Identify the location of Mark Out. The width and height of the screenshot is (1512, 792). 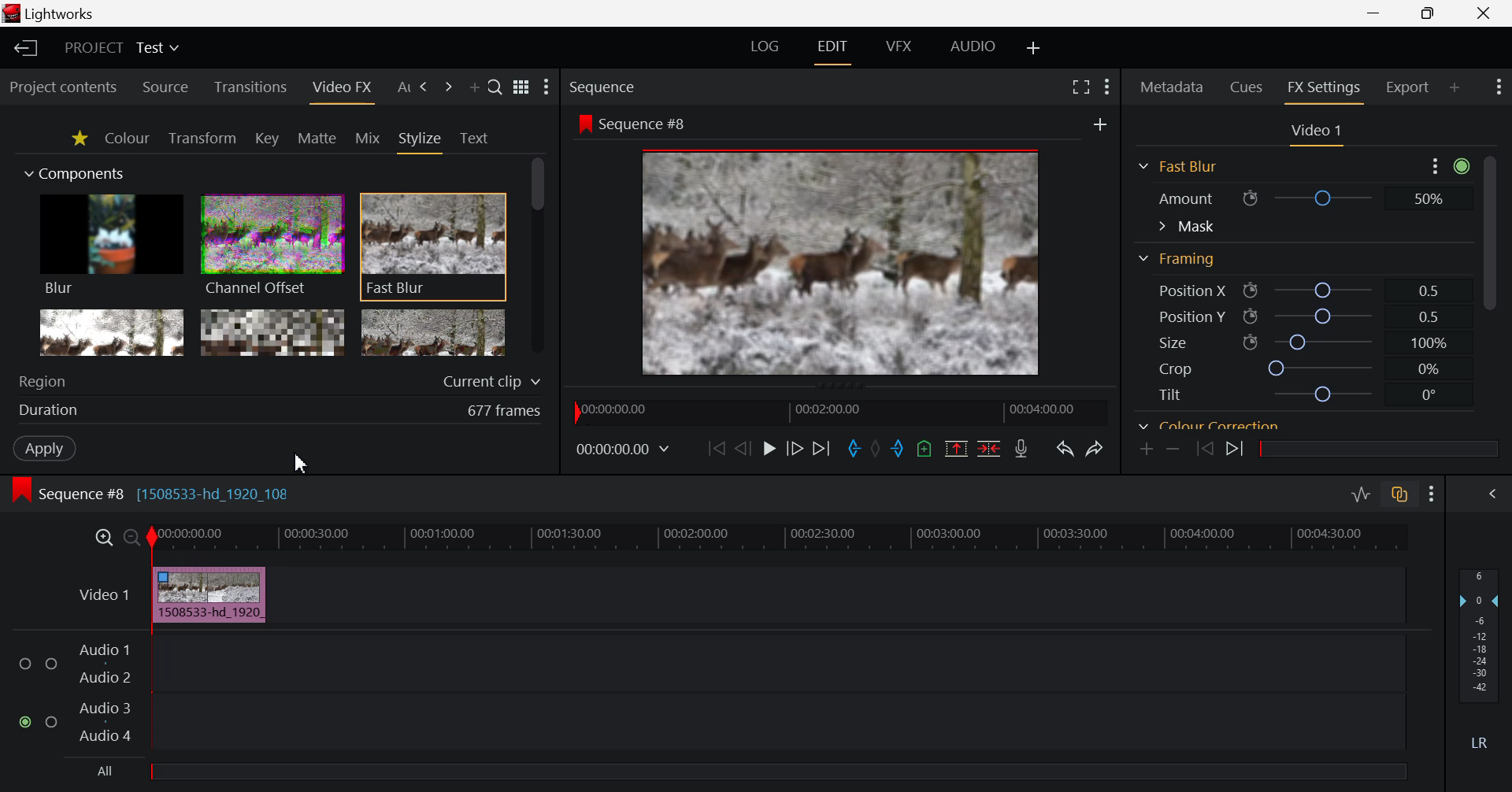
(896, 450).